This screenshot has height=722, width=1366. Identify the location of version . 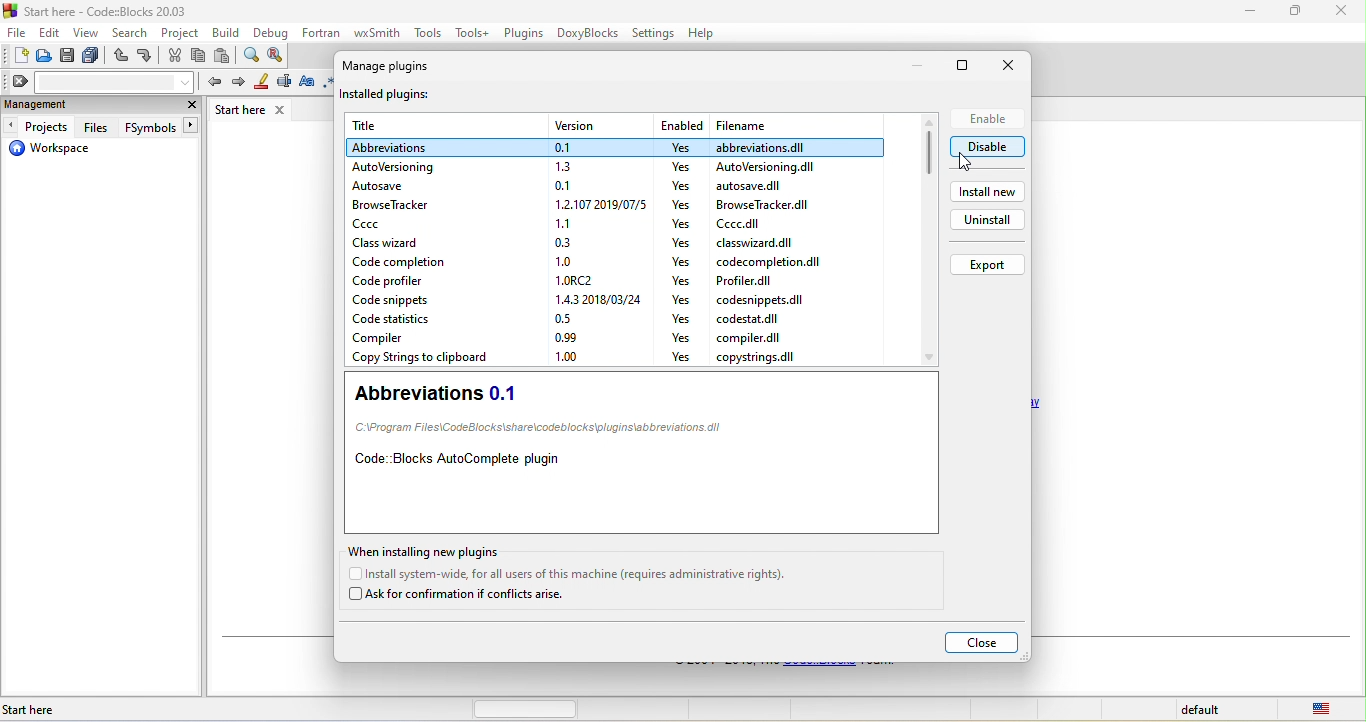
(596, 298).